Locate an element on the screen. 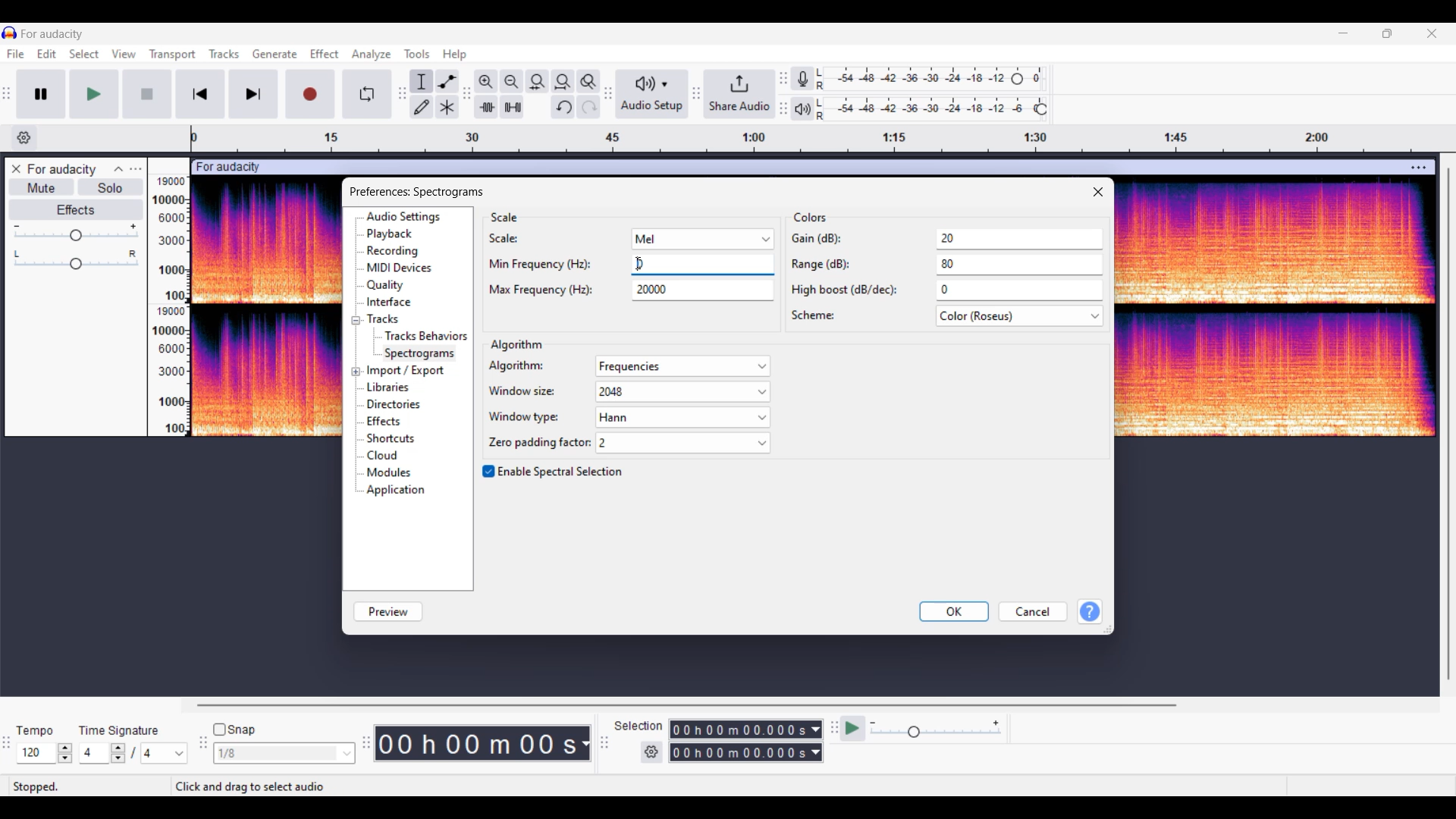 The width and height of the screenshot is (1456, 819). Skip/Select to end is located at coordinates (253, 94).